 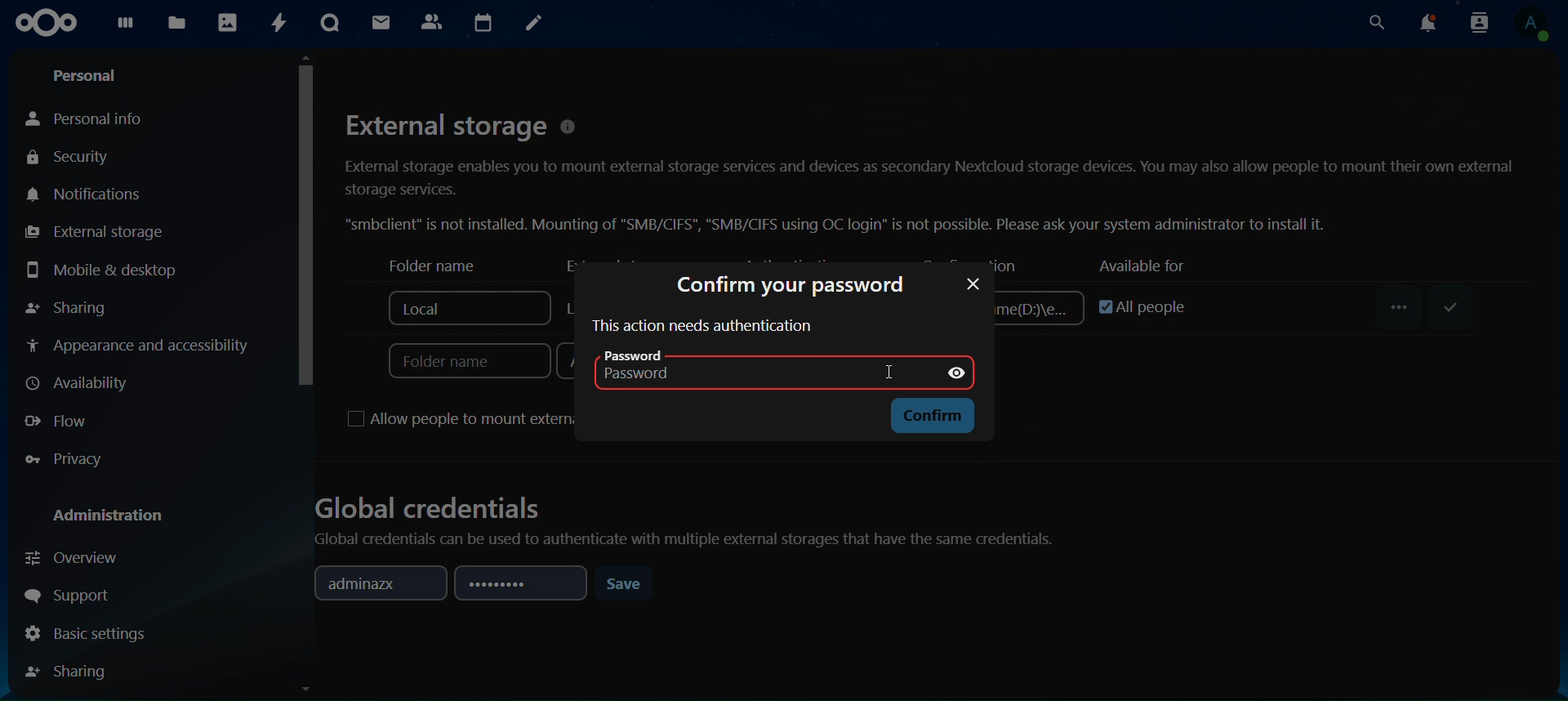 I want to click on this action need authentication, so click(x=702, y=327).